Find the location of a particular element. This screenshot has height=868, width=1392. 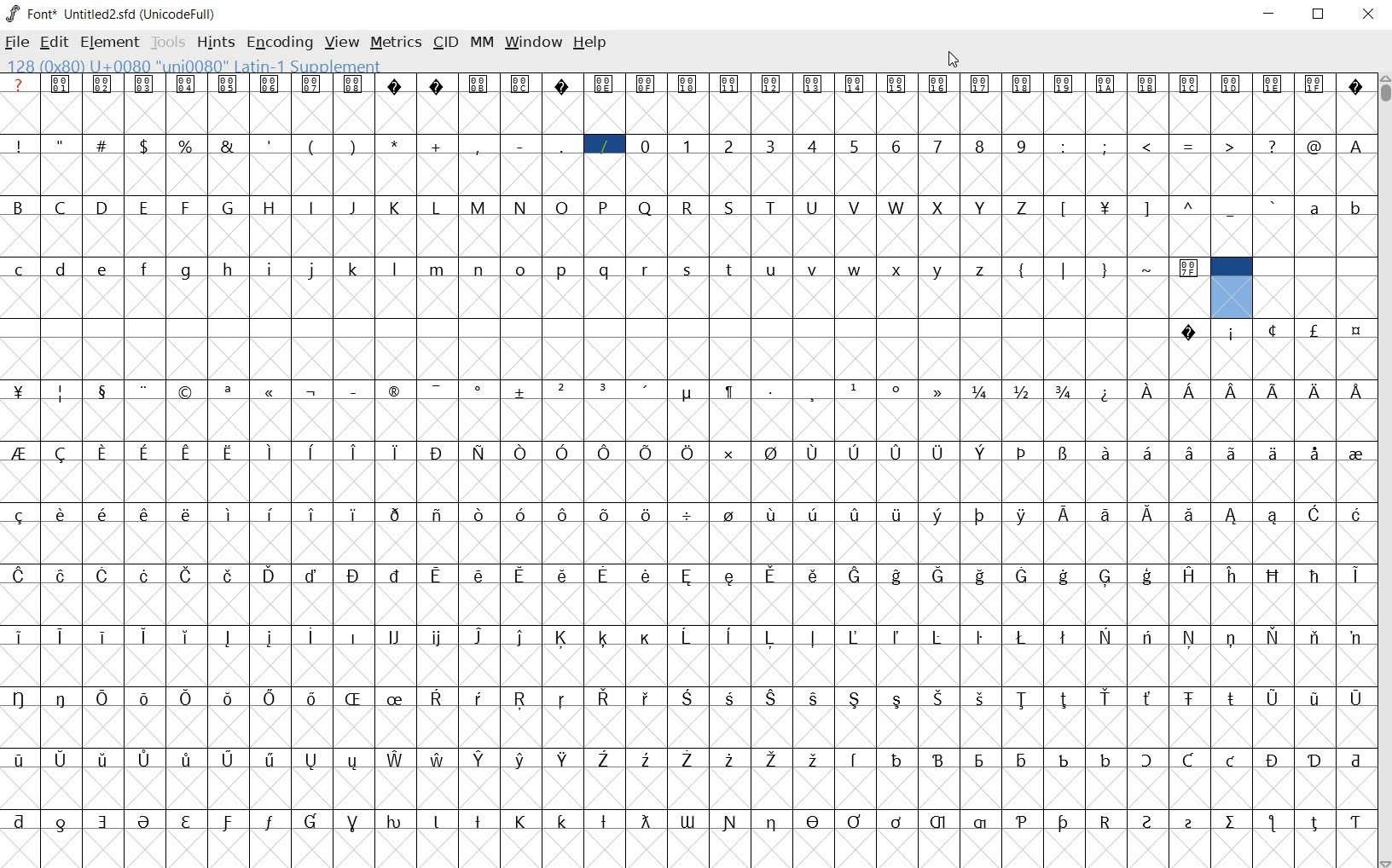

Symbol is located at coordinates (146, 84).